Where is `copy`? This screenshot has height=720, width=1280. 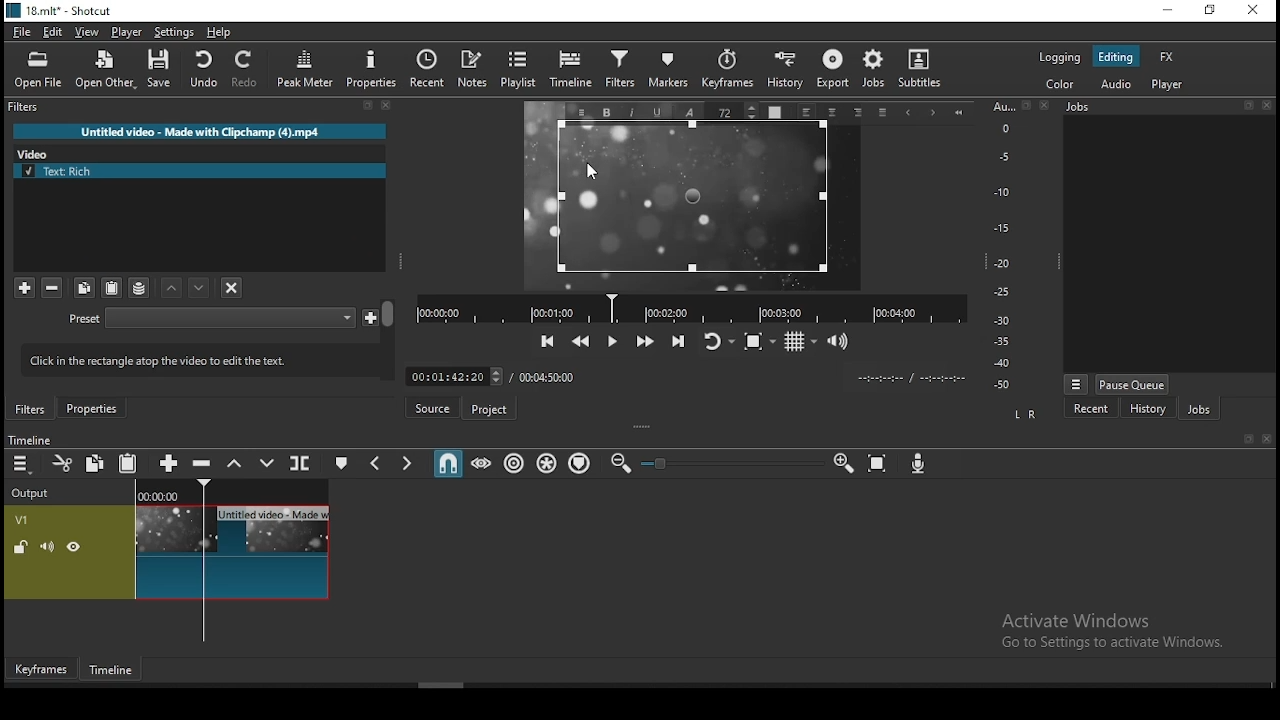
copy is located at coordinates (95, 462).